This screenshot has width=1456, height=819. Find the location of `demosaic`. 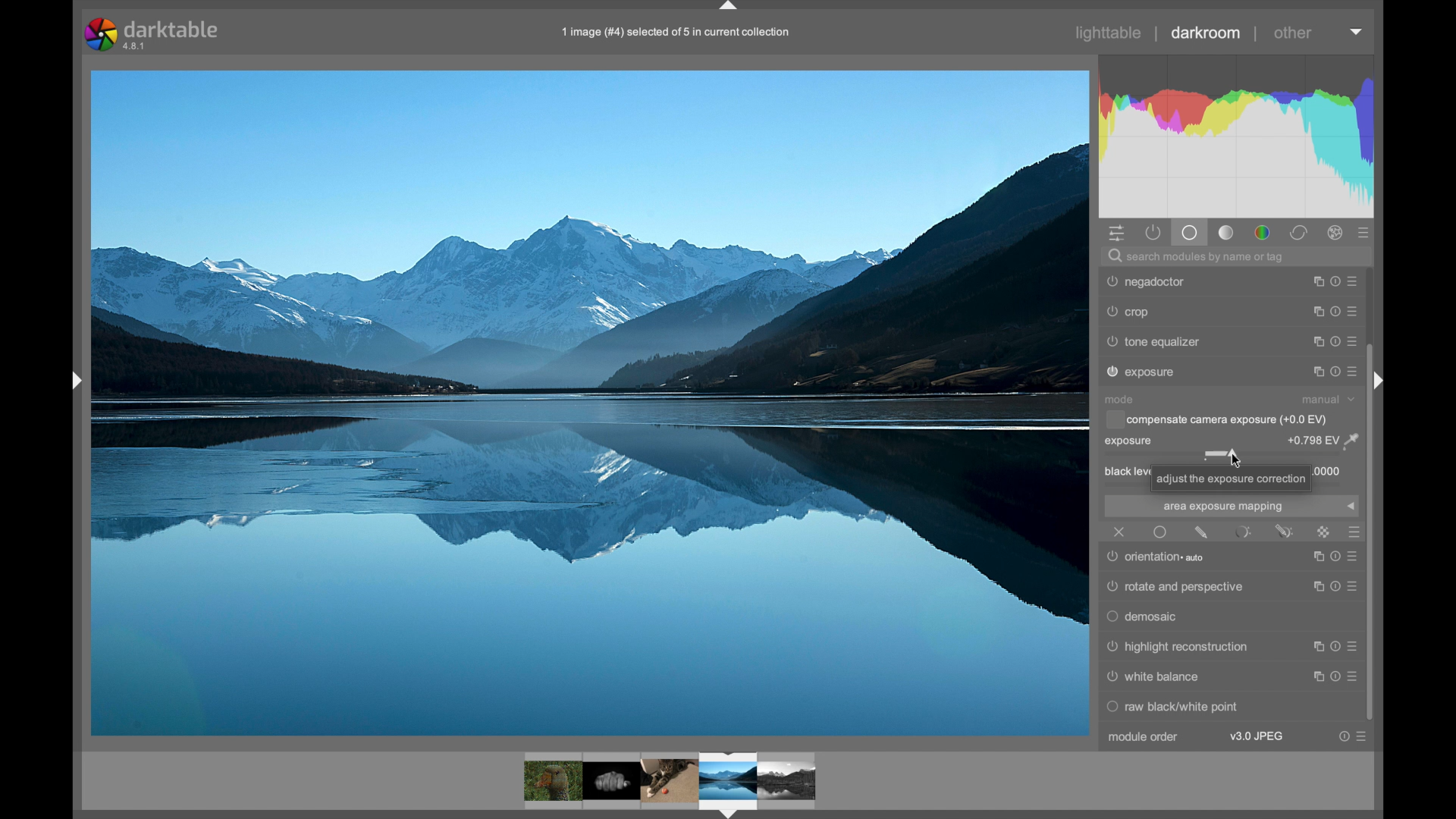

demosaic is located at coordinates (1144, 618).